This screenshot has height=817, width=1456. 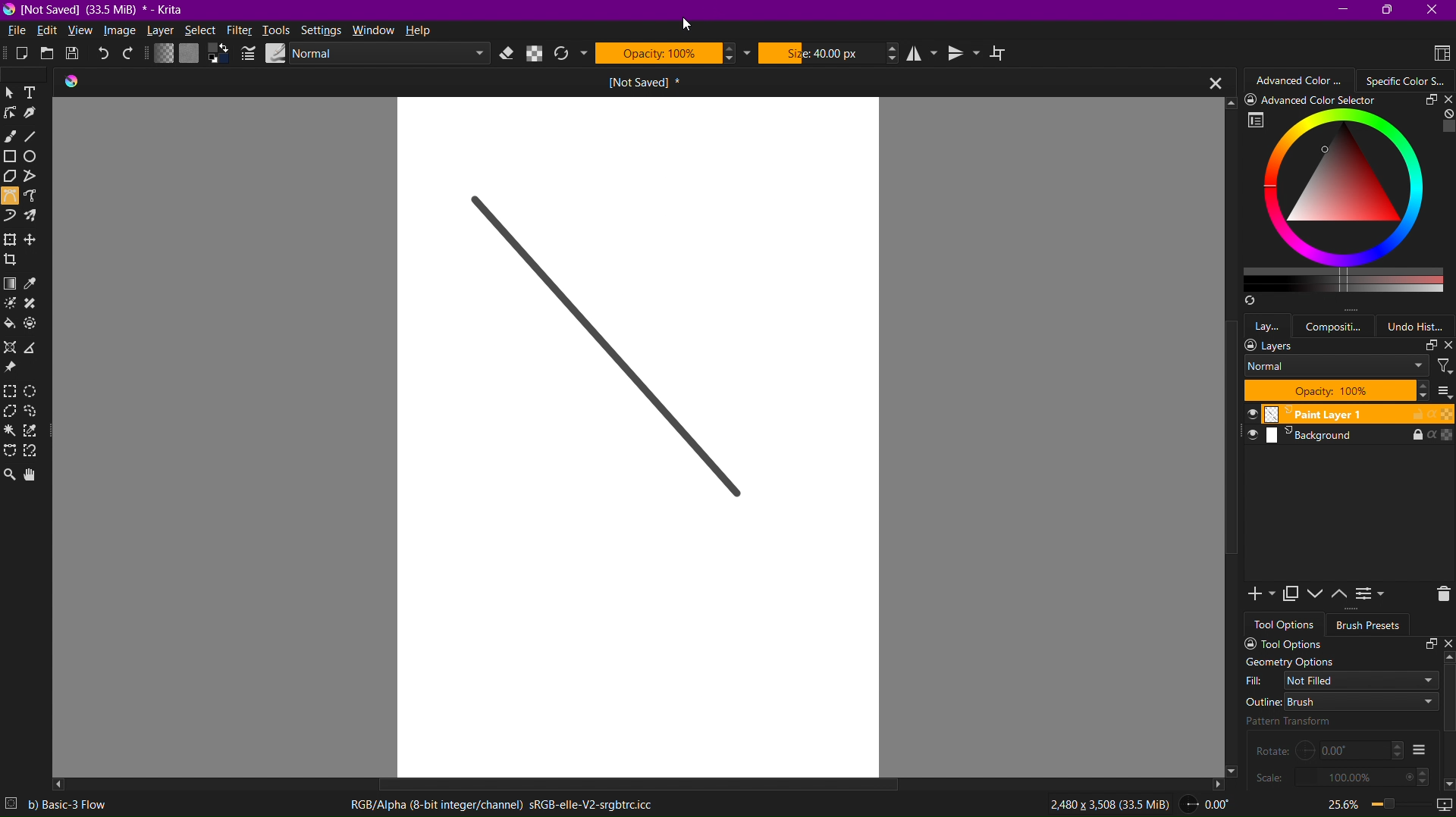 What do you see at coordinates (1209, 82) in the screenshot?
I see `Close` at bounding box center [1209, 82].